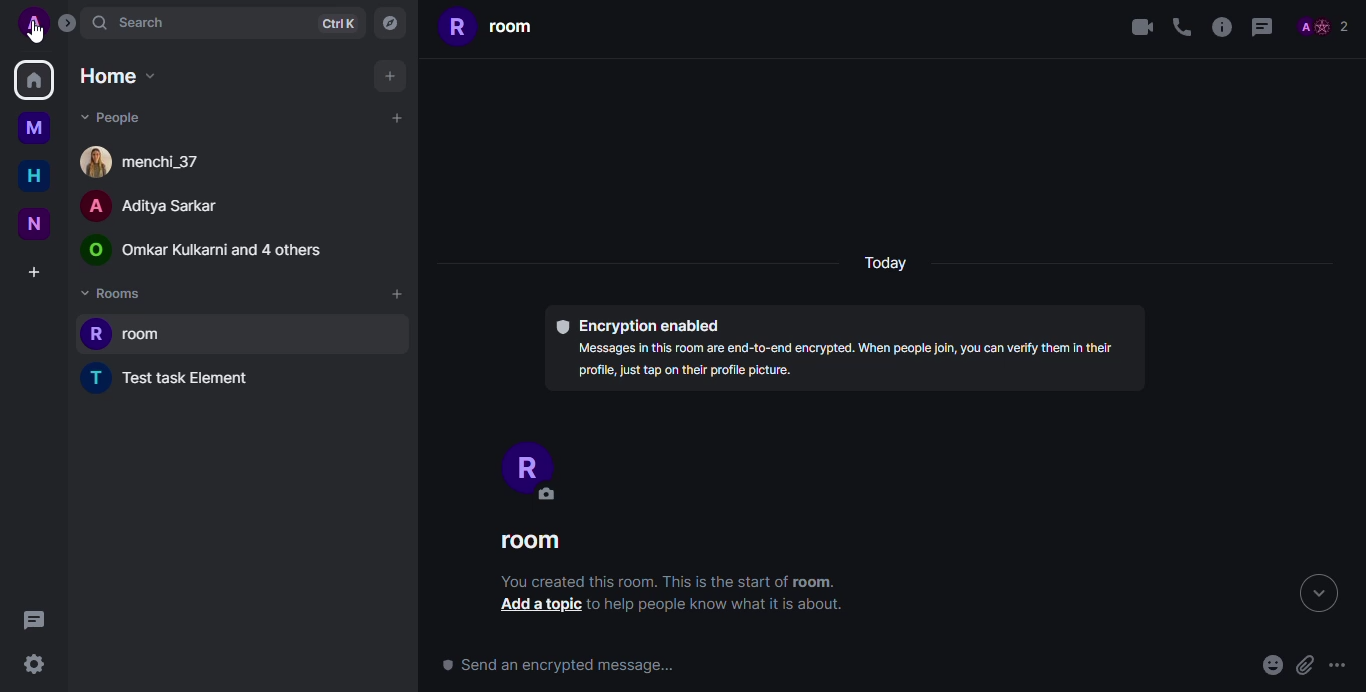 This screenshot has width=1366, height=692. What do you see at coordinates (71, 28) in the screenshot?
I see `expand` at bounding box center [71, 28].